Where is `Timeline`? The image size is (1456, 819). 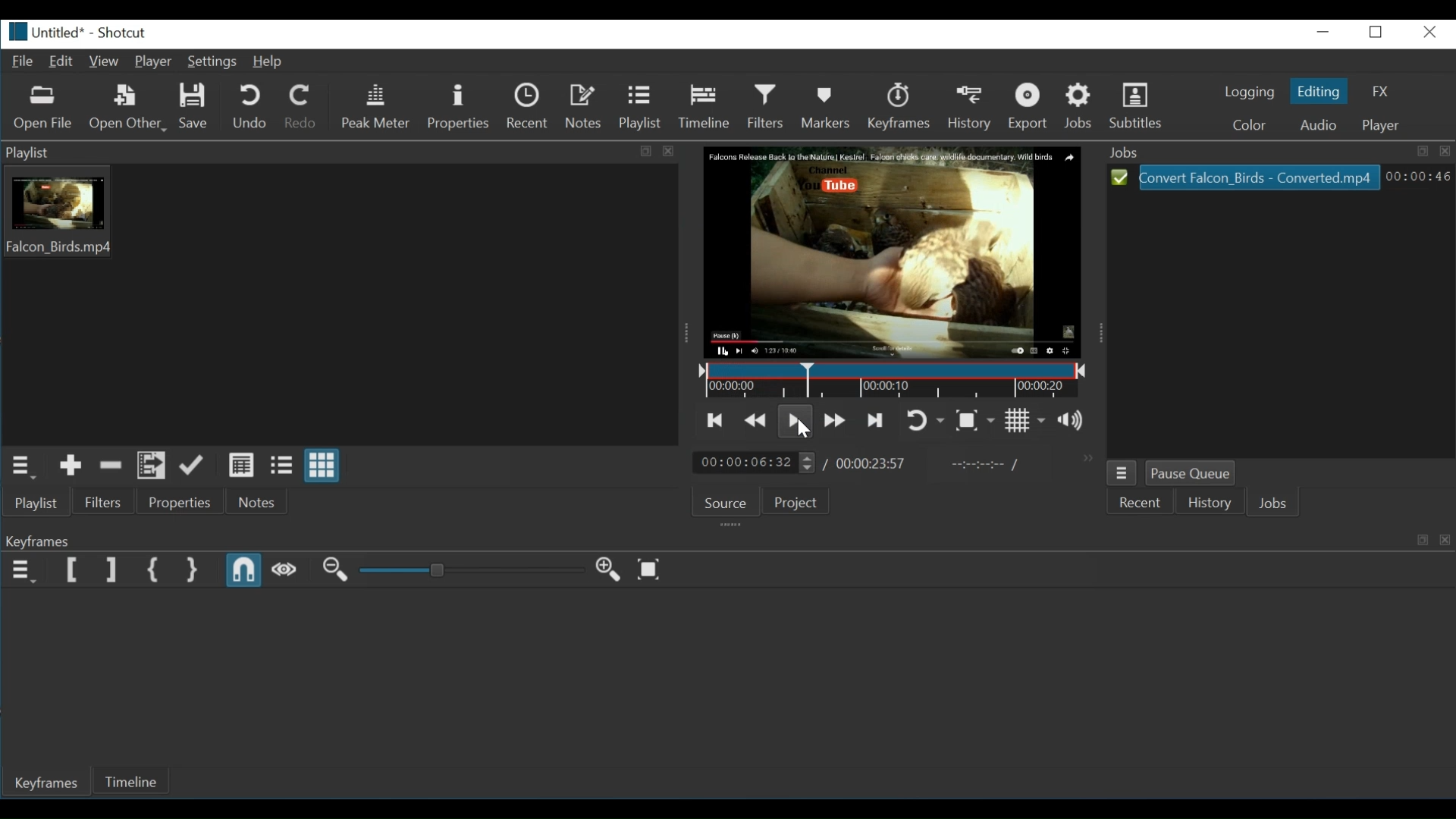 Timeline is located at coordinates (133, 781).